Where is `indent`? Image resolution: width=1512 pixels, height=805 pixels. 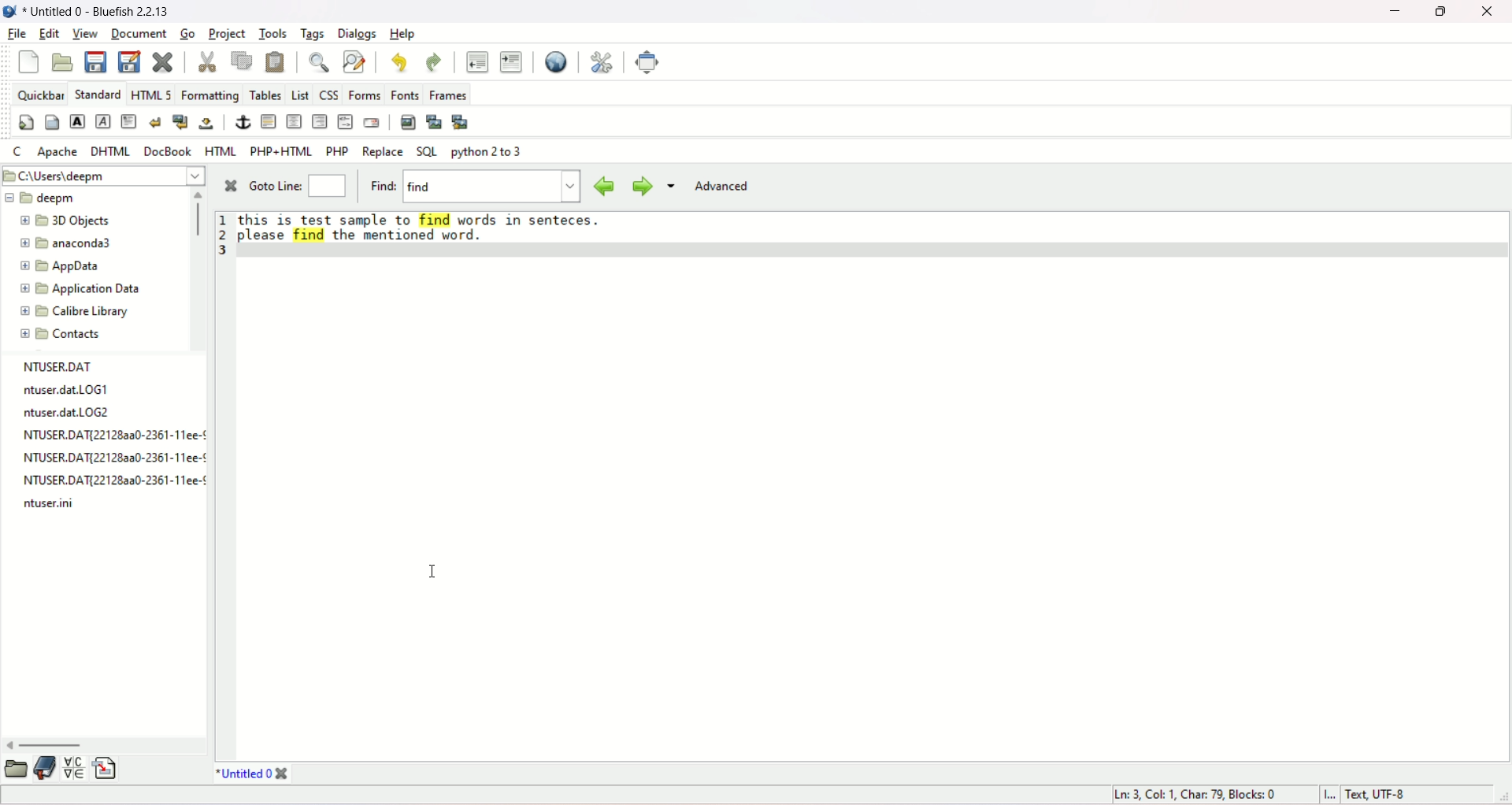
indent is located at coordinates (511, 60).